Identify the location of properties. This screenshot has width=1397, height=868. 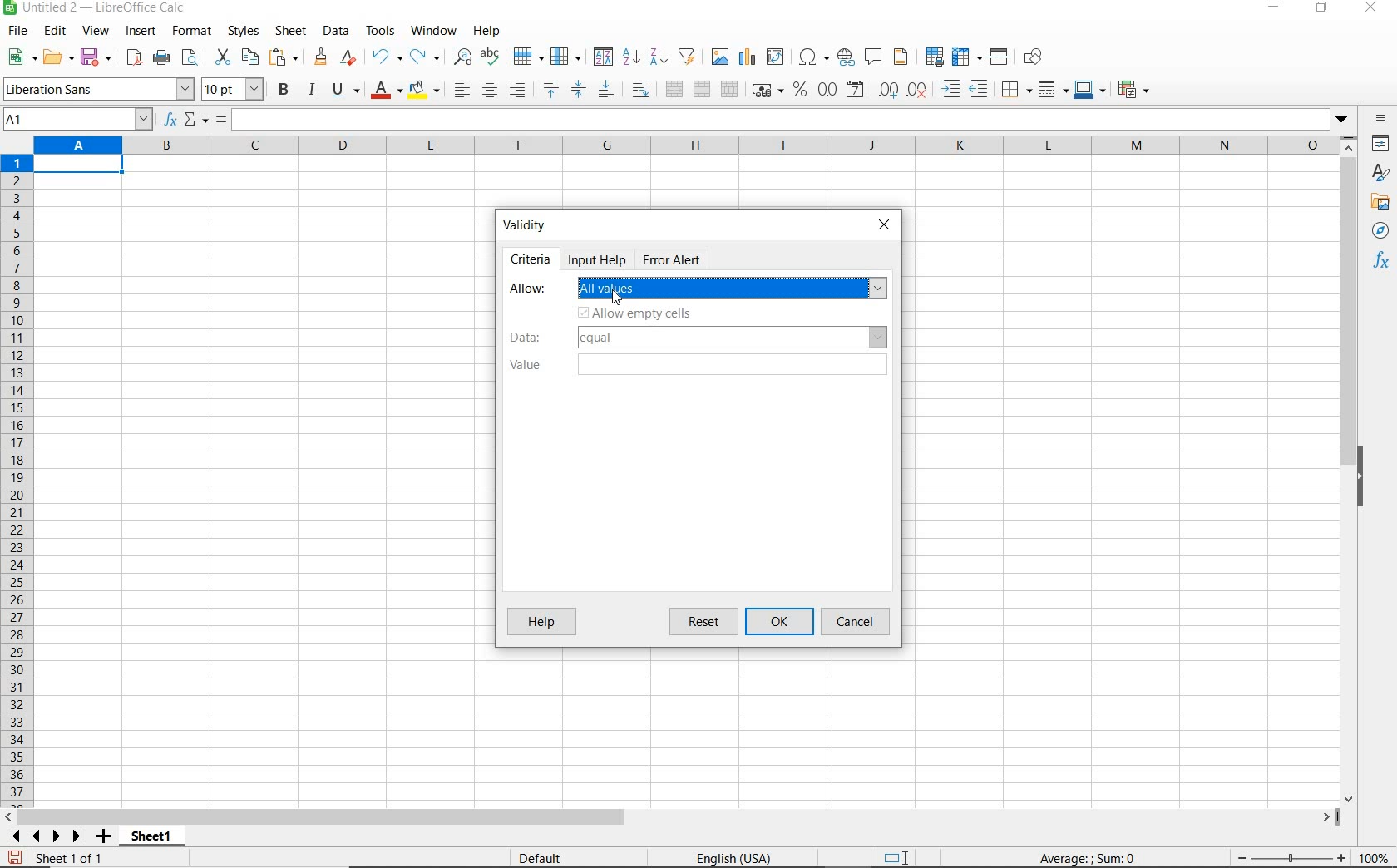
(1382, 145).